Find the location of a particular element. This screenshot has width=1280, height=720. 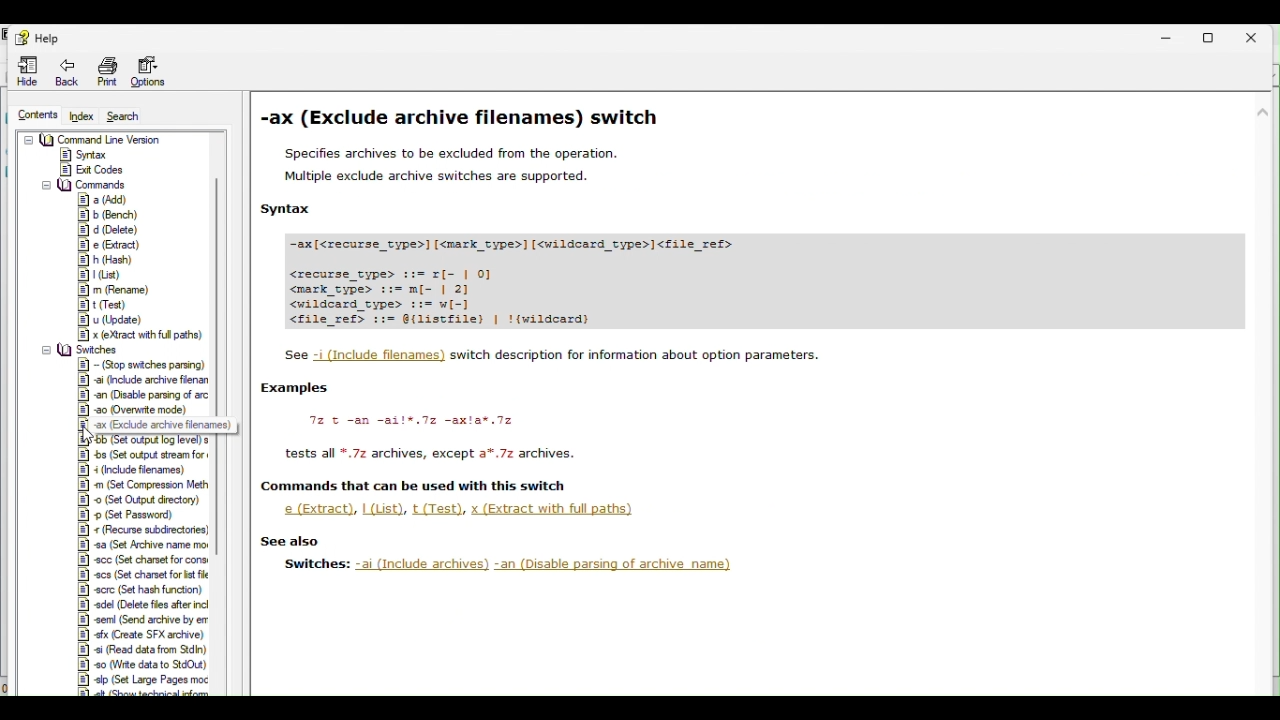

| #] ecrc (Set hash function) is located at coordinates (141, 589).